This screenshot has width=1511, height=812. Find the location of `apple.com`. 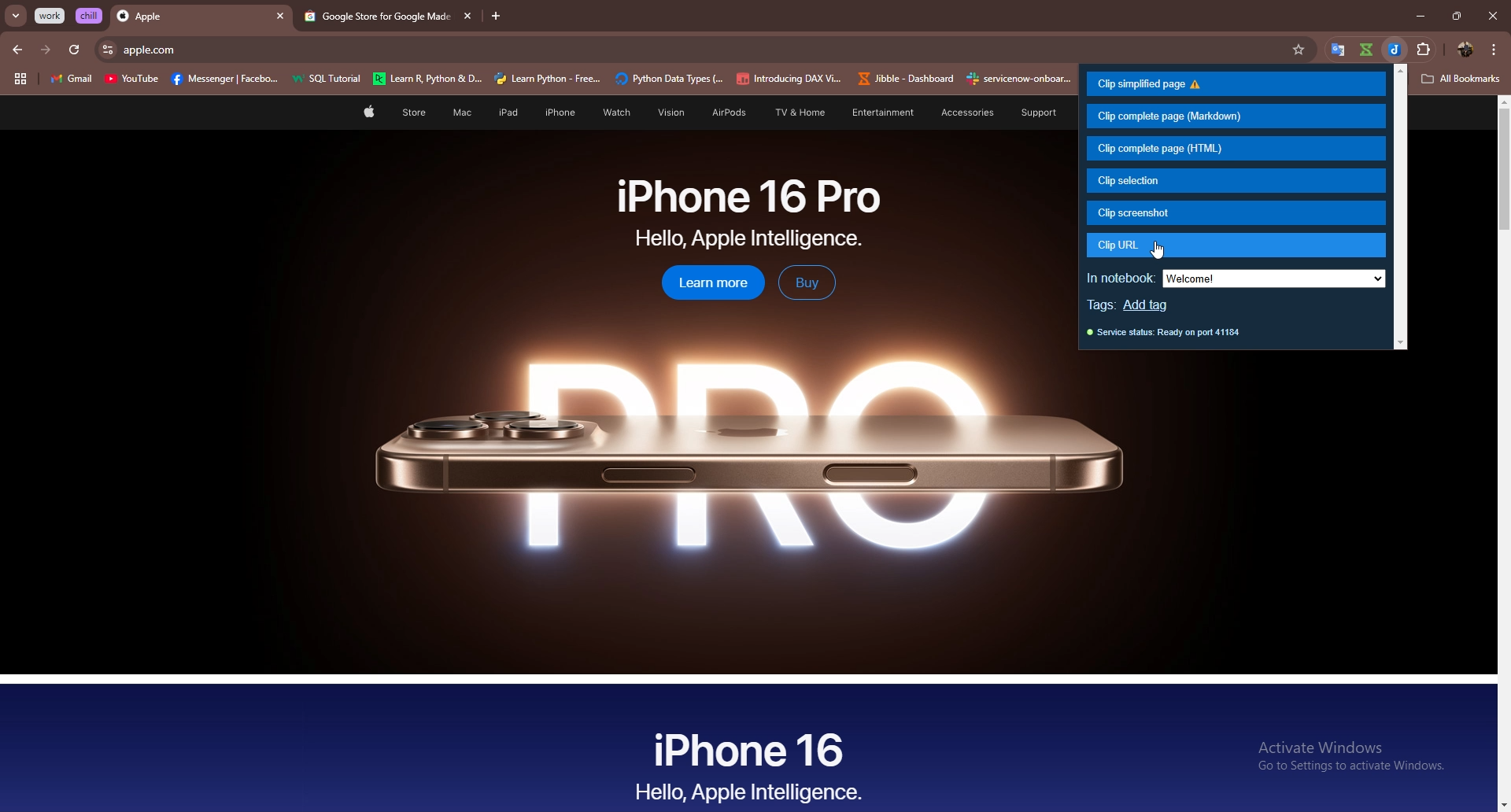

apple.com is located at coordinates (704, 50).